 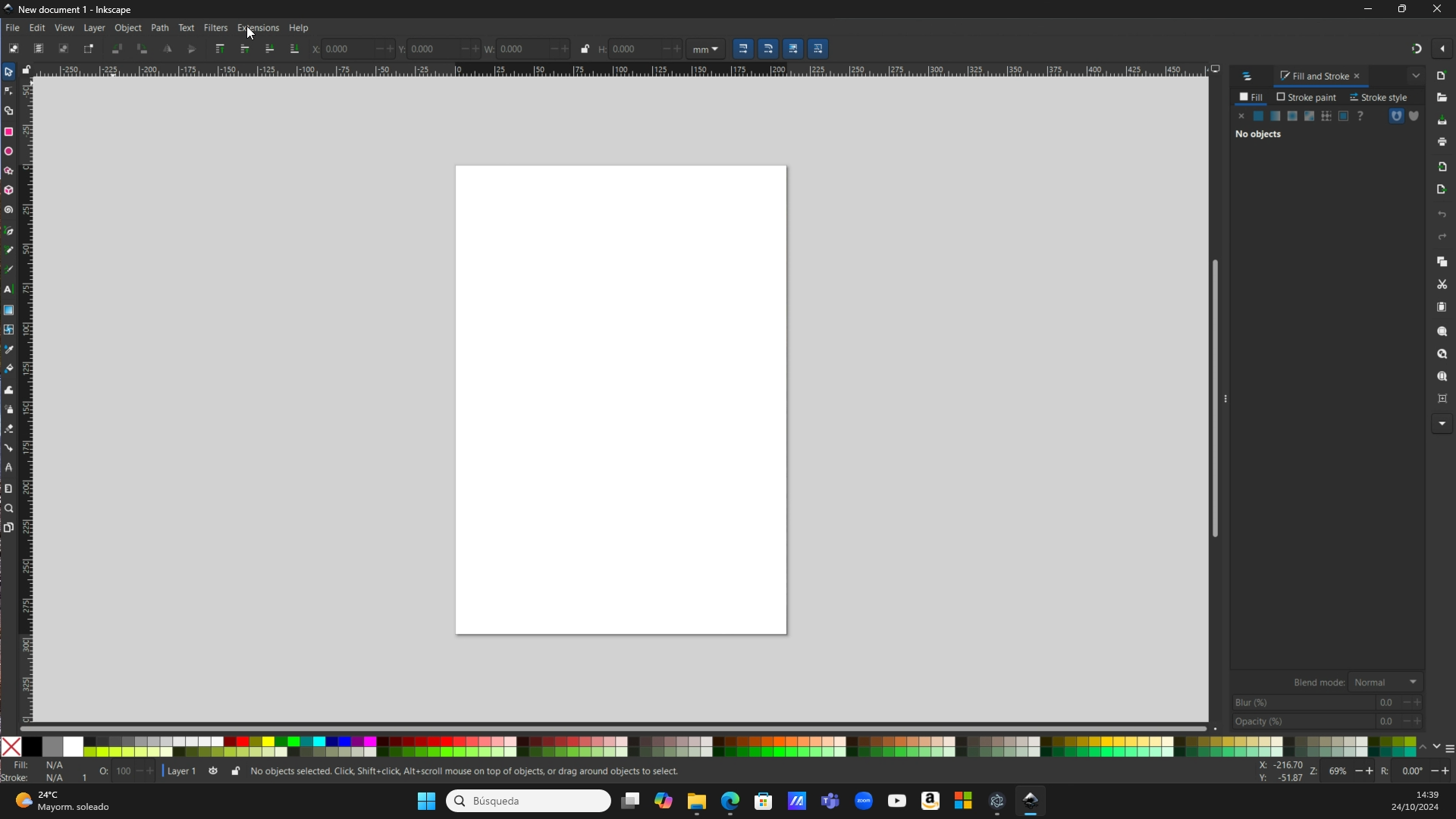 I want to click on Filters, so click(x=218, y=29).